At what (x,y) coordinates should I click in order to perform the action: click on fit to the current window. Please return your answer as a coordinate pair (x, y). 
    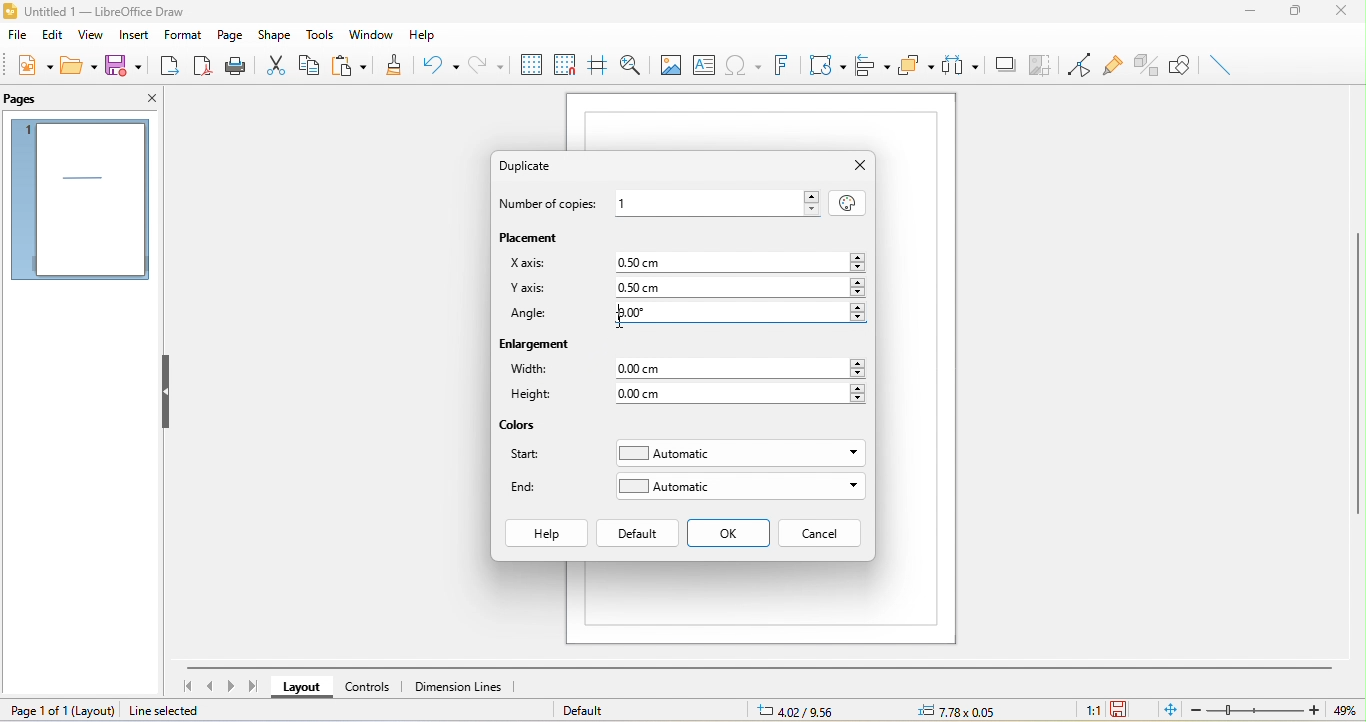
    Looking at the image, I should click on (1165, 711).